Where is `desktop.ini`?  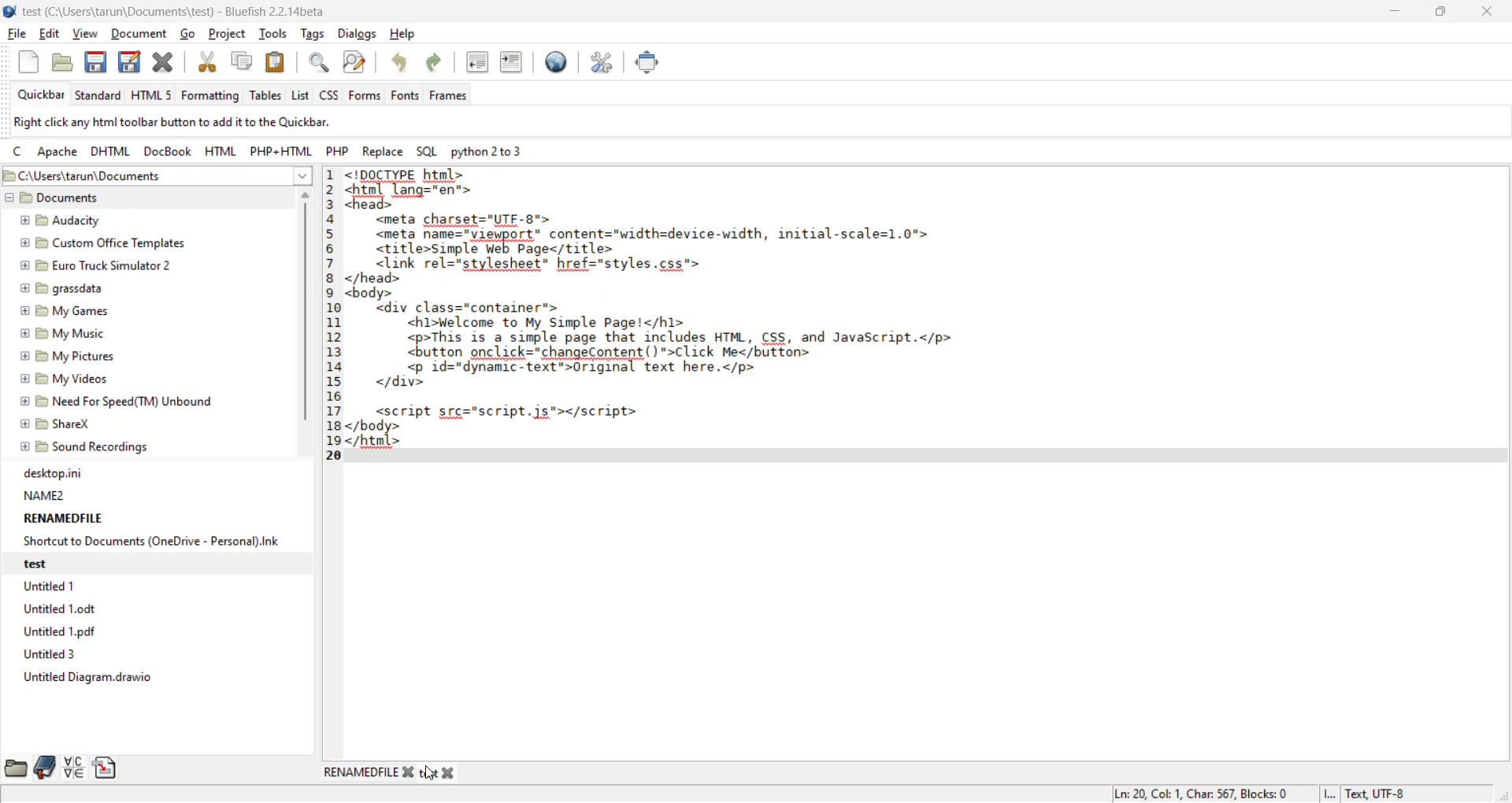 desktop.ini is located at coordinates (58, 471).